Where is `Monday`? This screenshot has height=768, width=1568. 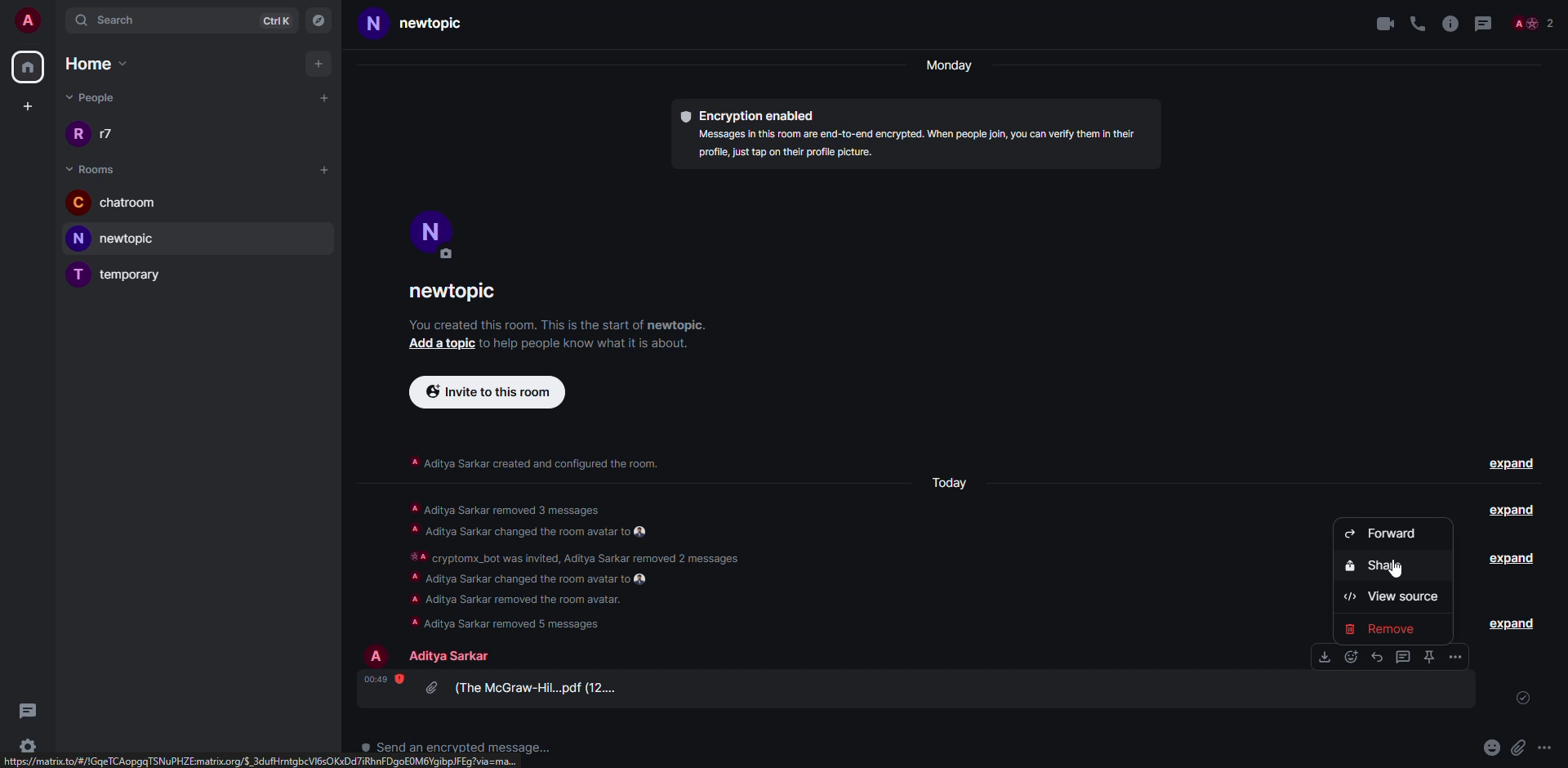
Monday is located at coordinates (951, 66).